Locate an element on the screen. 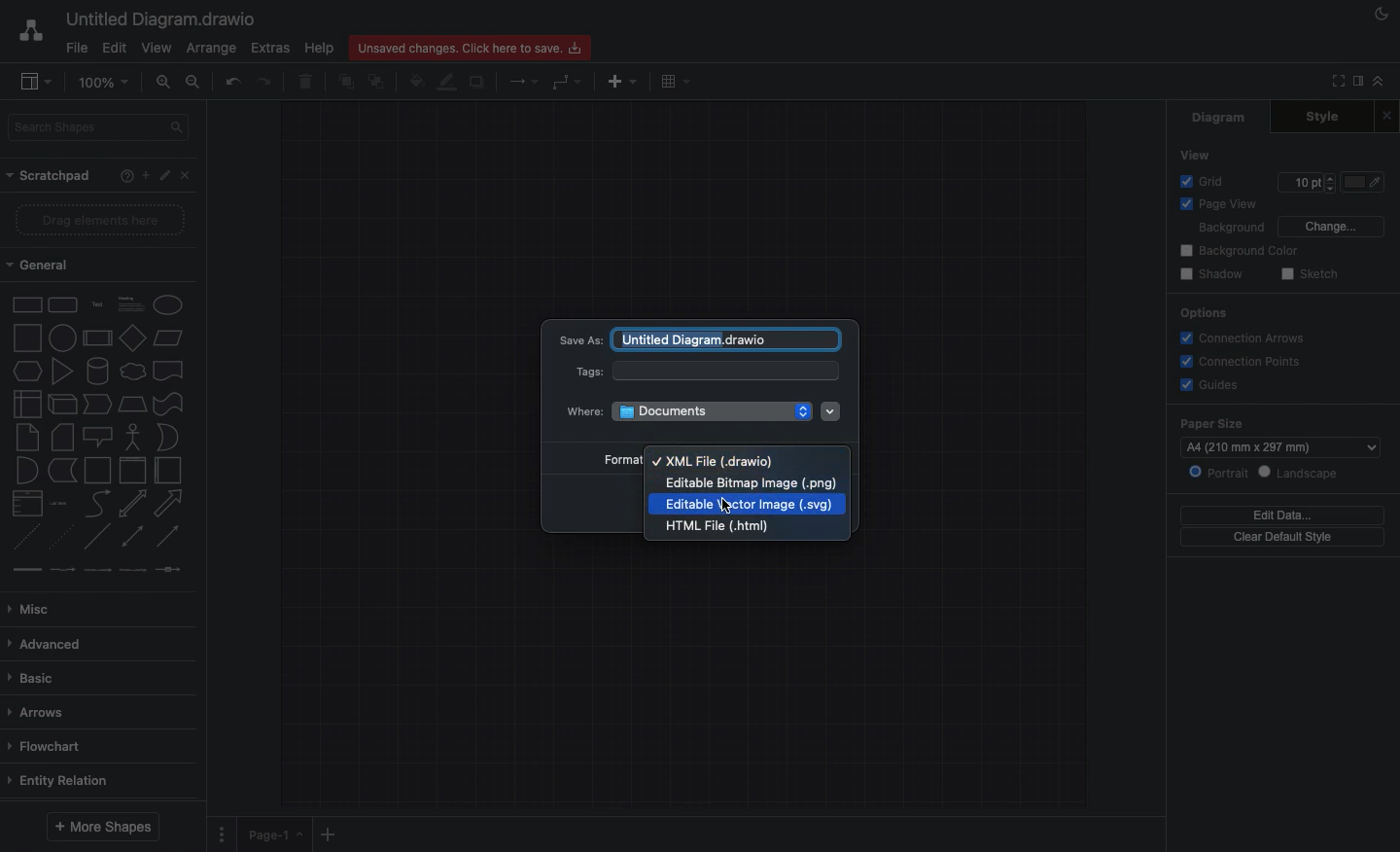 The width and height of the screenshot is (1400, 852). Style is located at coordinates (1334, 117).